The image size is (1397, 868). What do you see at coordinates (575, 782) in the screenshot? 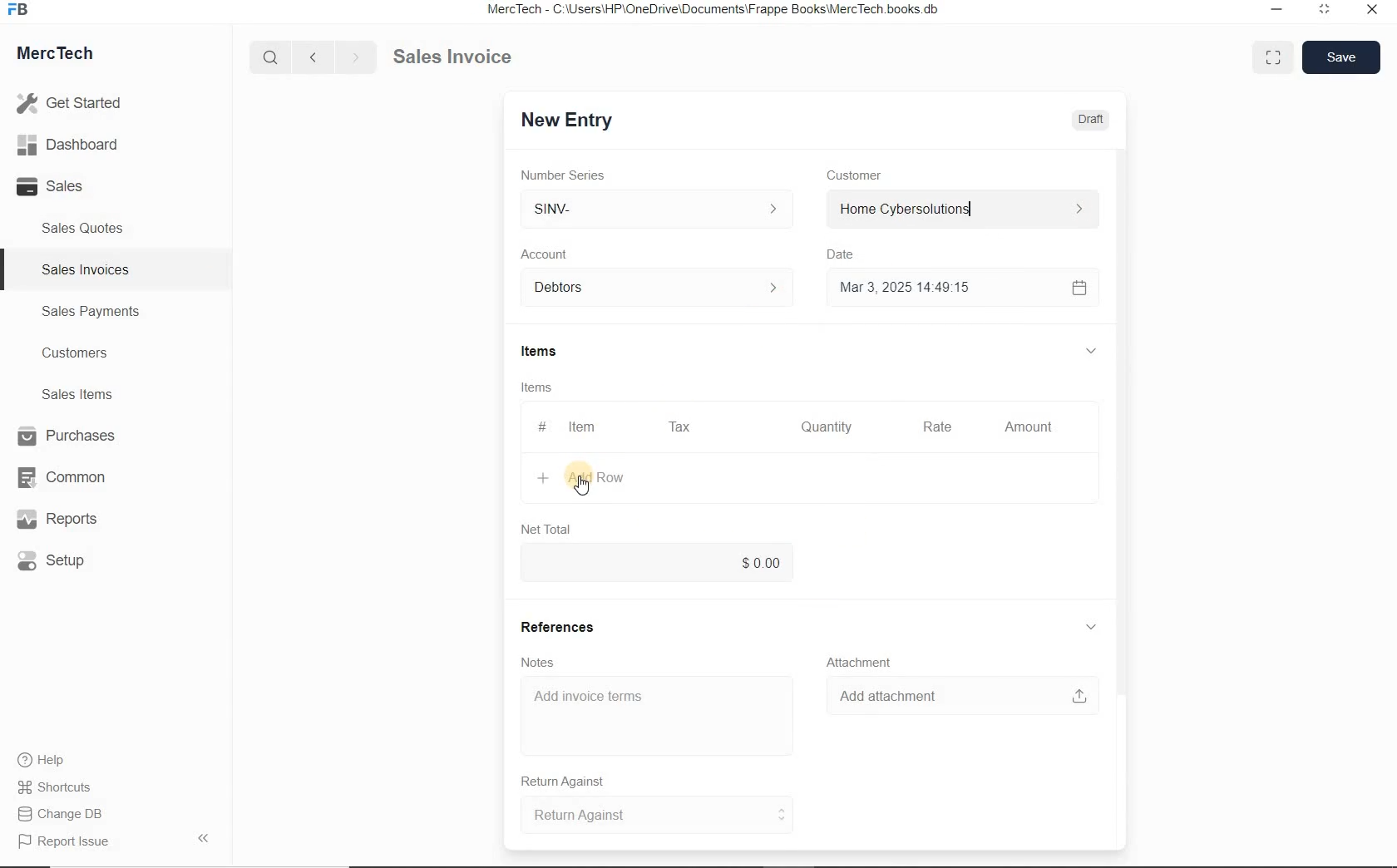
I see `Return Against` at bounding box center [575, 782].